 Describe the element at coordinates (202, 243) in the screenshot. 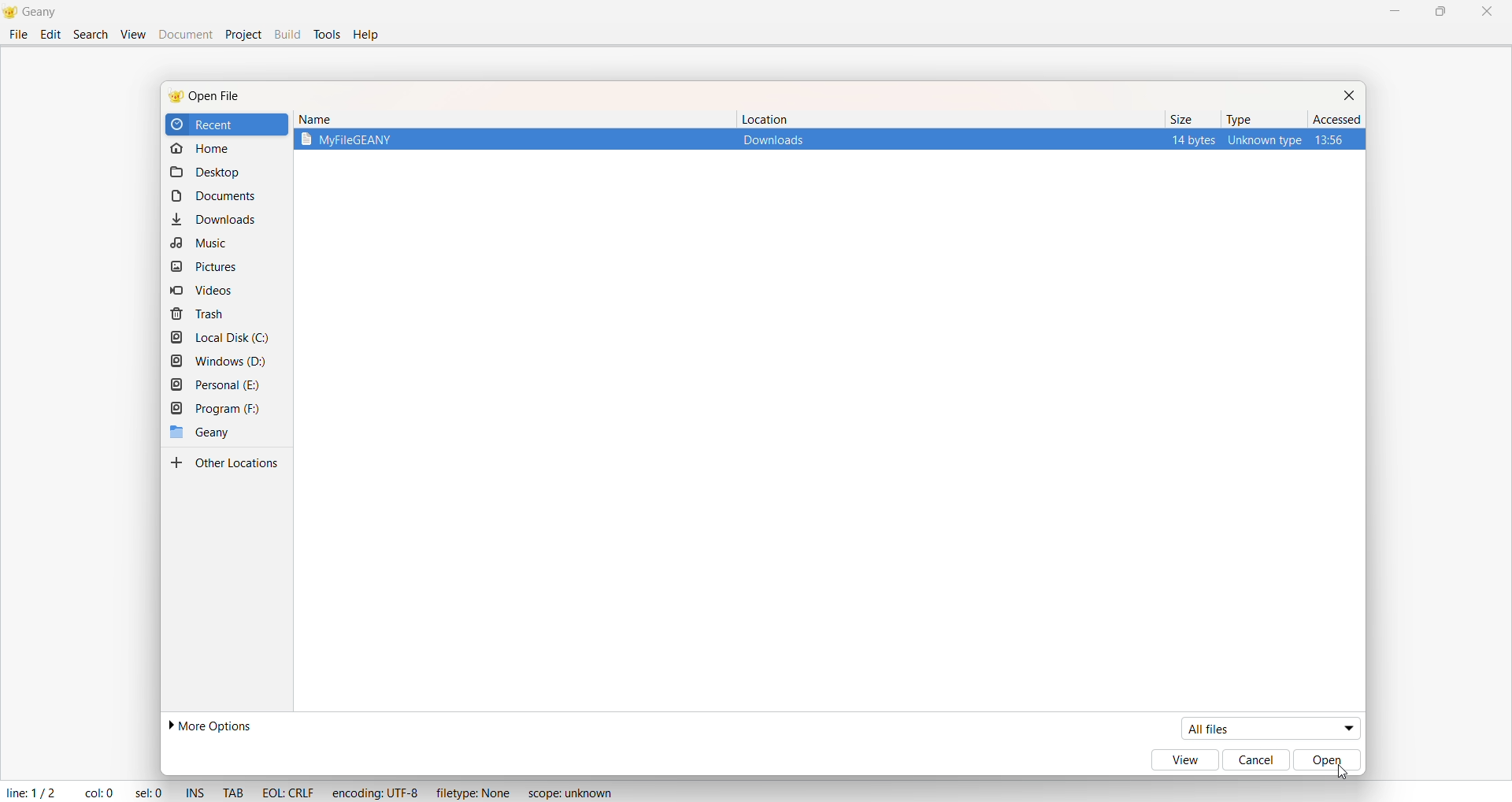

I see `music` at that location.